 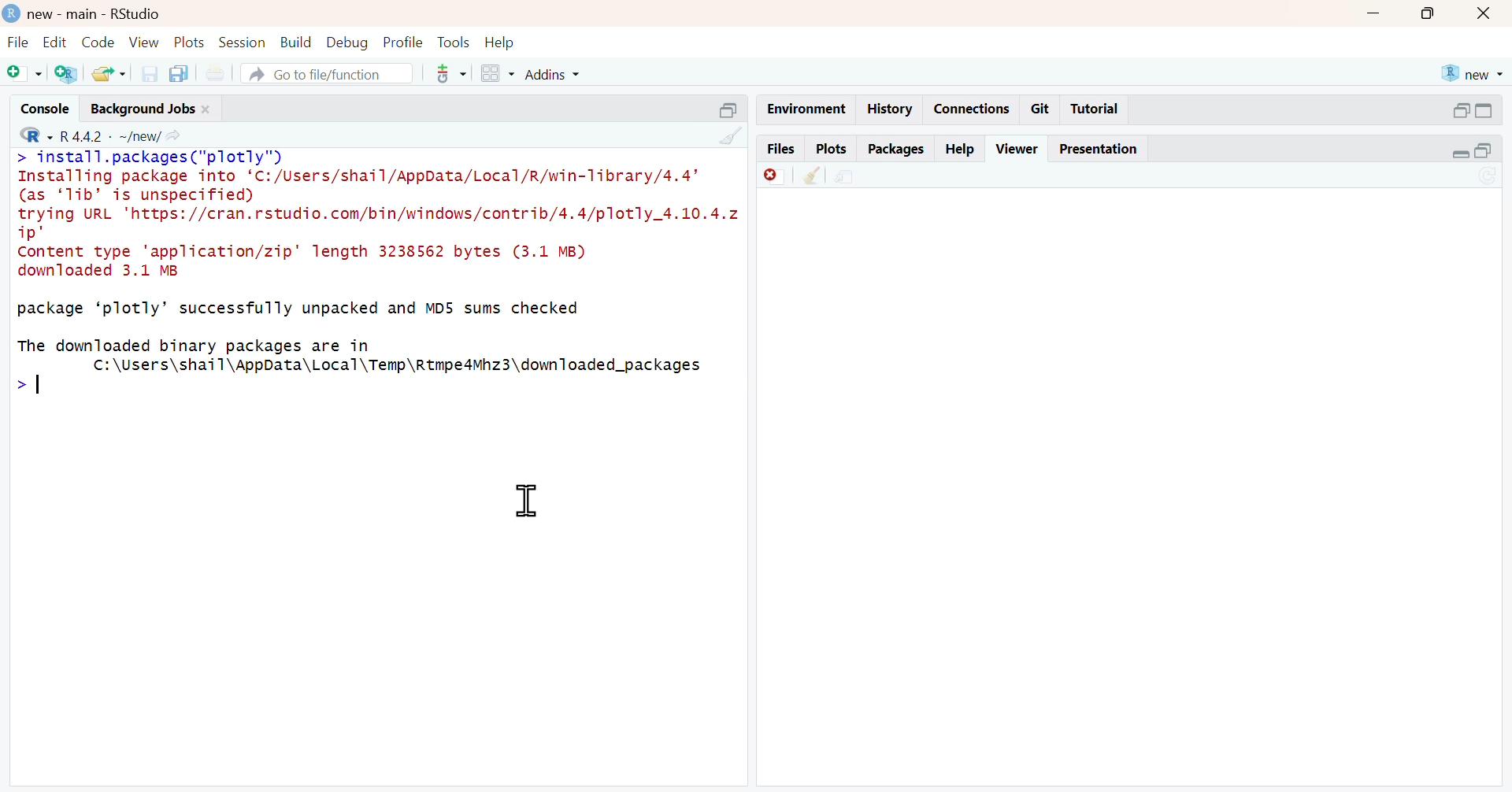 What do you see at coordinates (1374, 11) in the screenshot?
I see `minimize` at bounding box center [1374, 11].